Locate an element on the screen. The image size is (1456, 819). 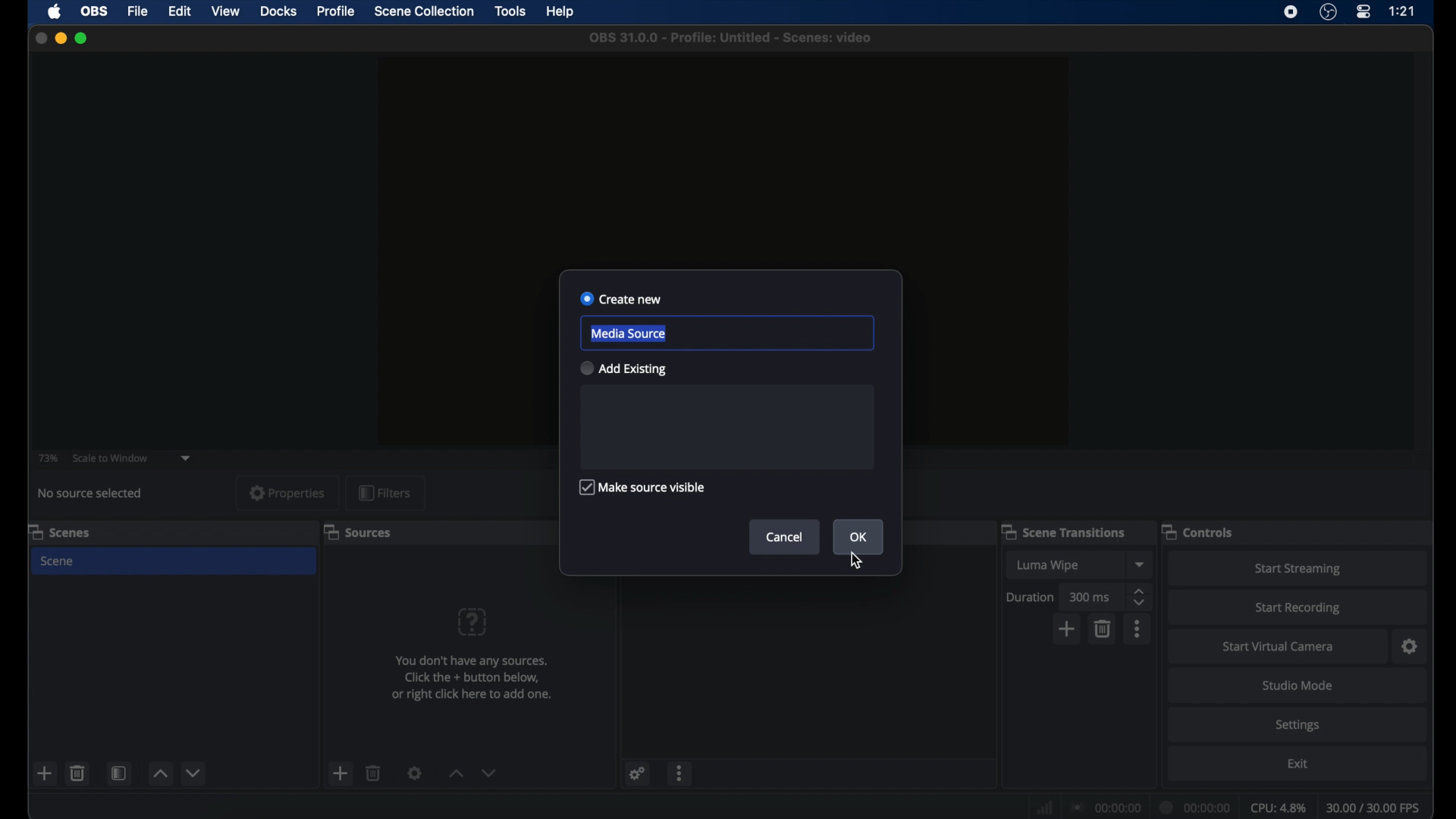
settings is located at coordinates (637, 773).